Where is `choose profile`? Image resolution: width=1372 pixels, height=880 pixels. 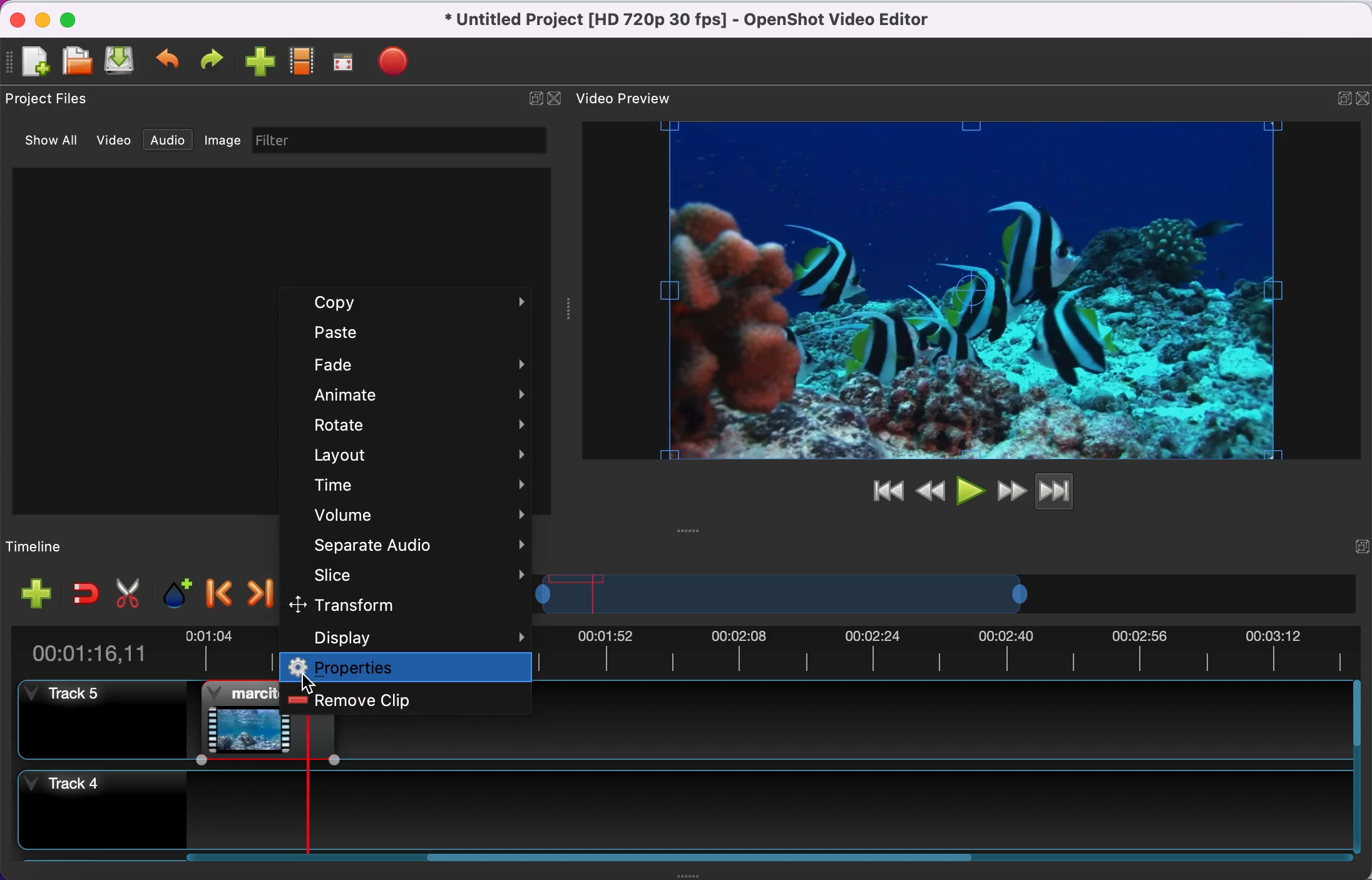 choose profile is located at coordinates (301, 62).